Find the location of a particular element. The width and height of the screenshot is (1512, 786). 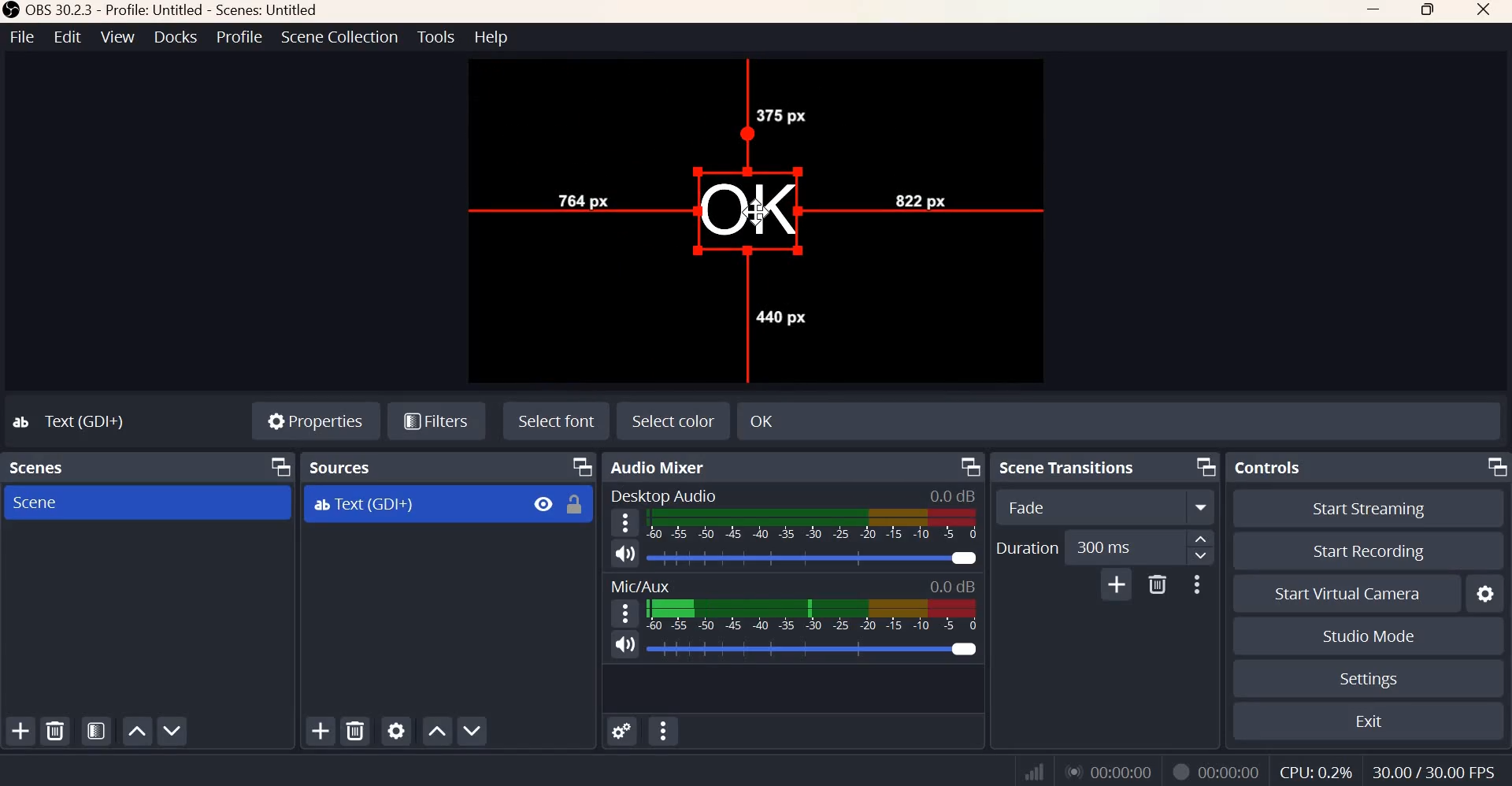

Volume Meter is located at coordinates (813, 525).